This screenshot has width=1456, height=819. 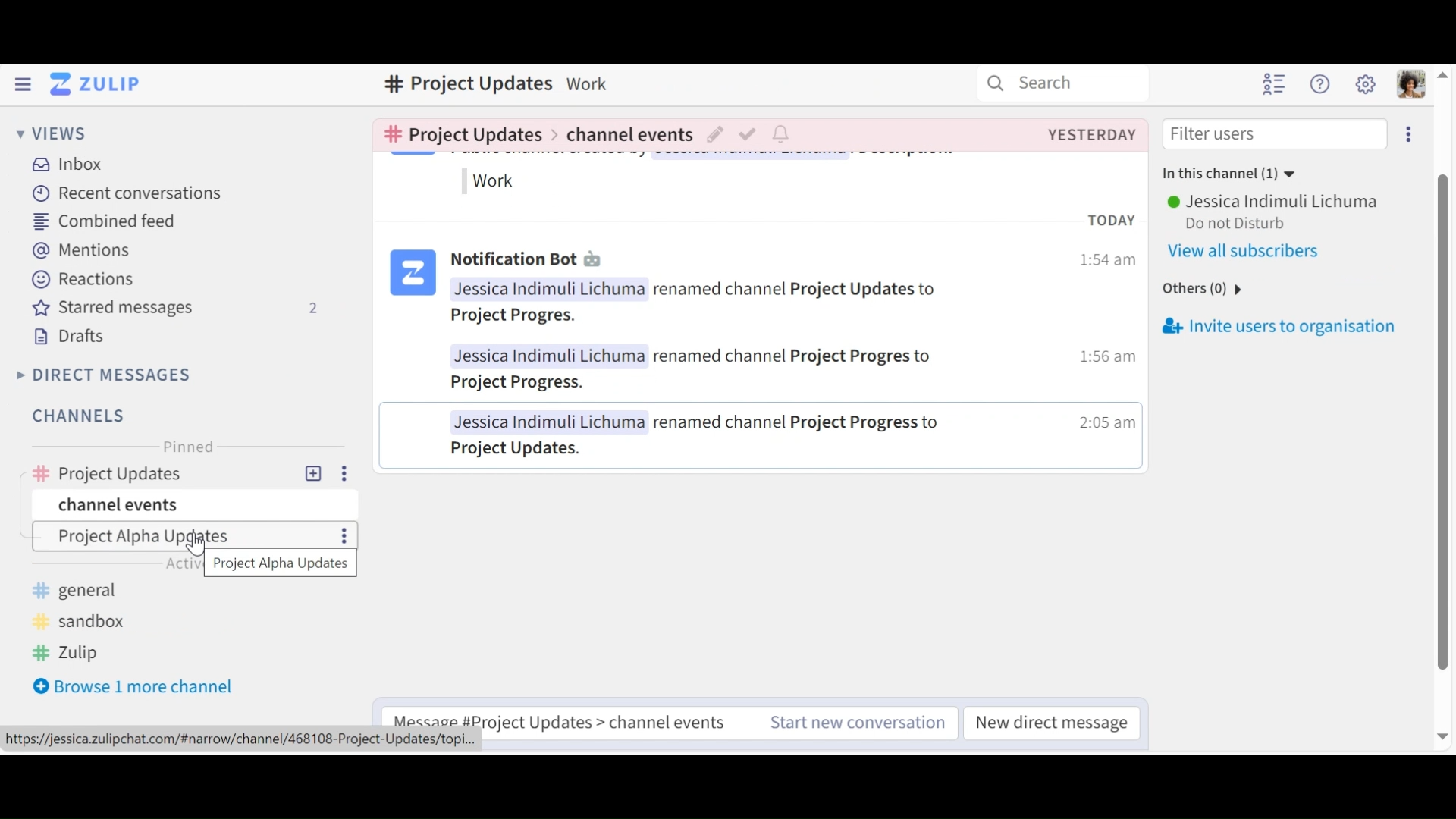 What do you see at coordinates (1042, 82) in the screenshot?
I see `Search` at bounding box center [1042, 82].